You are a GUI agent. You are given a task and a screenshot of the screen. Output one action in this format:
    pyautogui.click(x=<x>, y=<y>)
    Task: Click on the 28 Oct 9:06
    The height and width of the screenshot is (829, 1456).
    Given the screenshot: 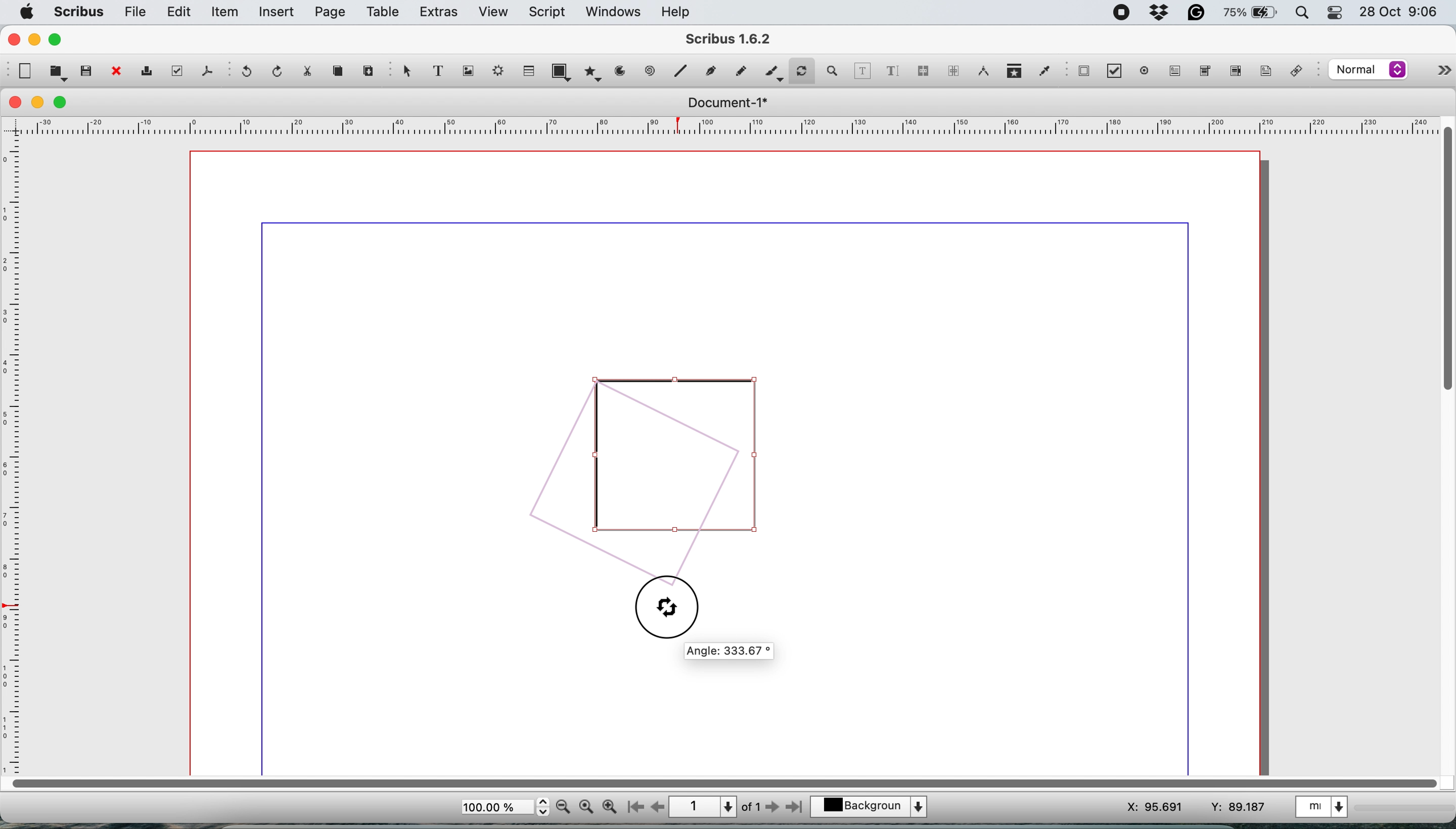 What is the action you would take?
    pyautogui.click(x=1396, y=11)
    